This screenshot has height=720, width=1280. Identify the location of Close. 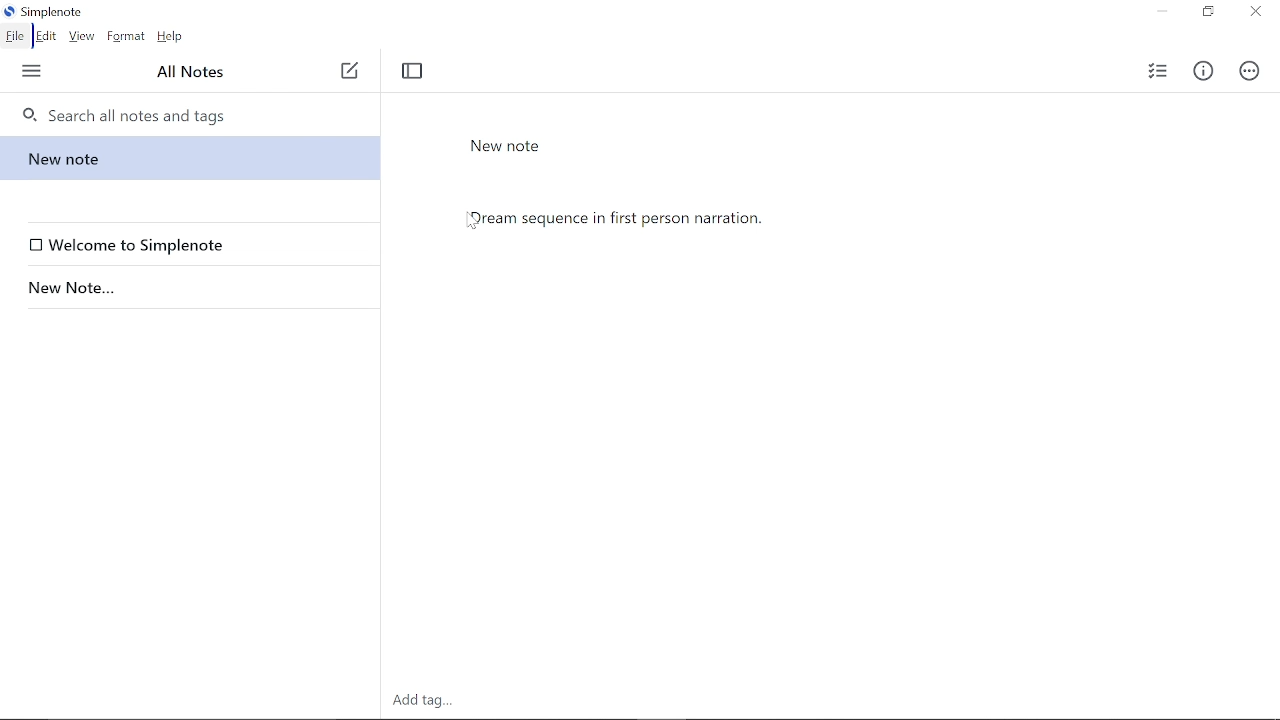
(1256, 13).